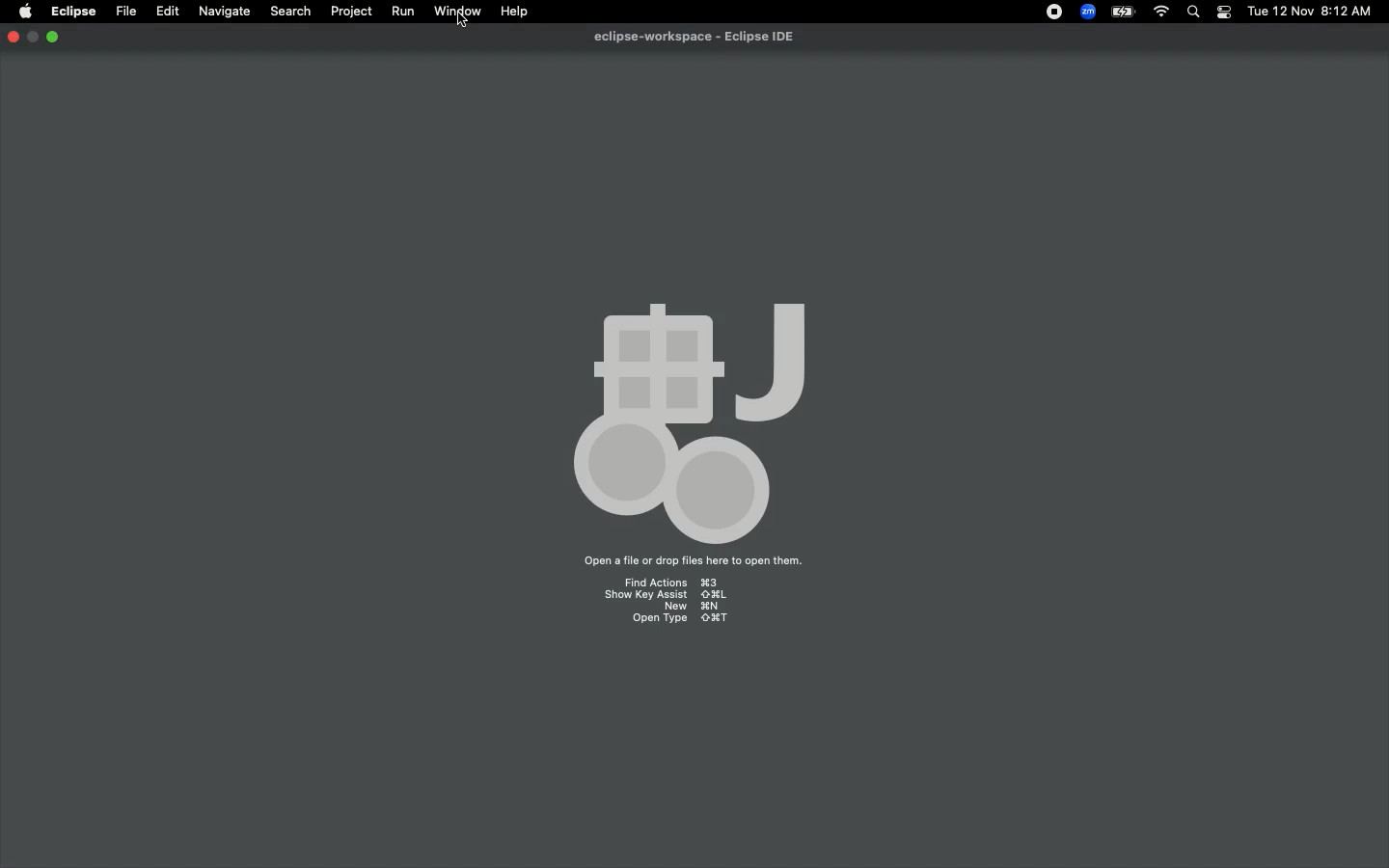 The width and height of the screenshot is (1389, 868). Describe the element at coordinates (669, 581) in the screenshot. I see `Find actions` at that location.